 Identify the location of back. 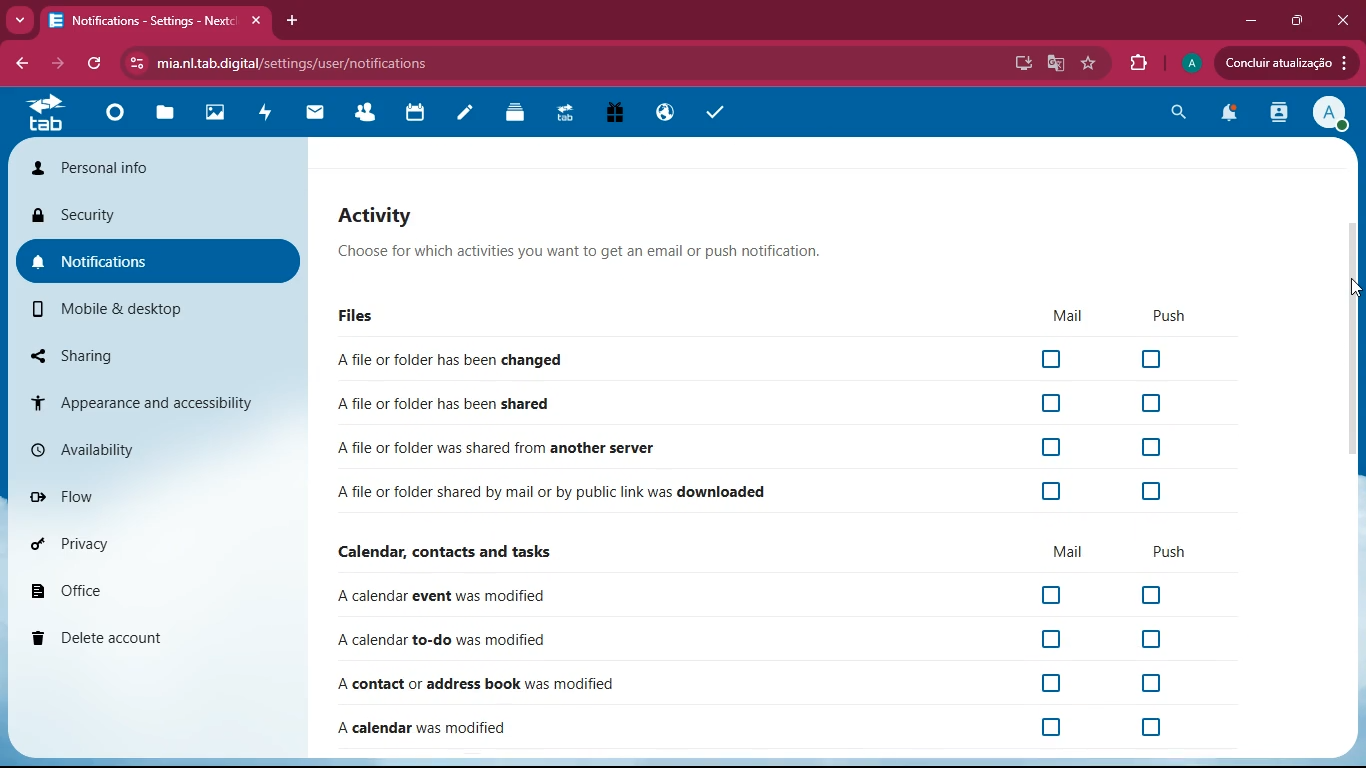
(57, 66).